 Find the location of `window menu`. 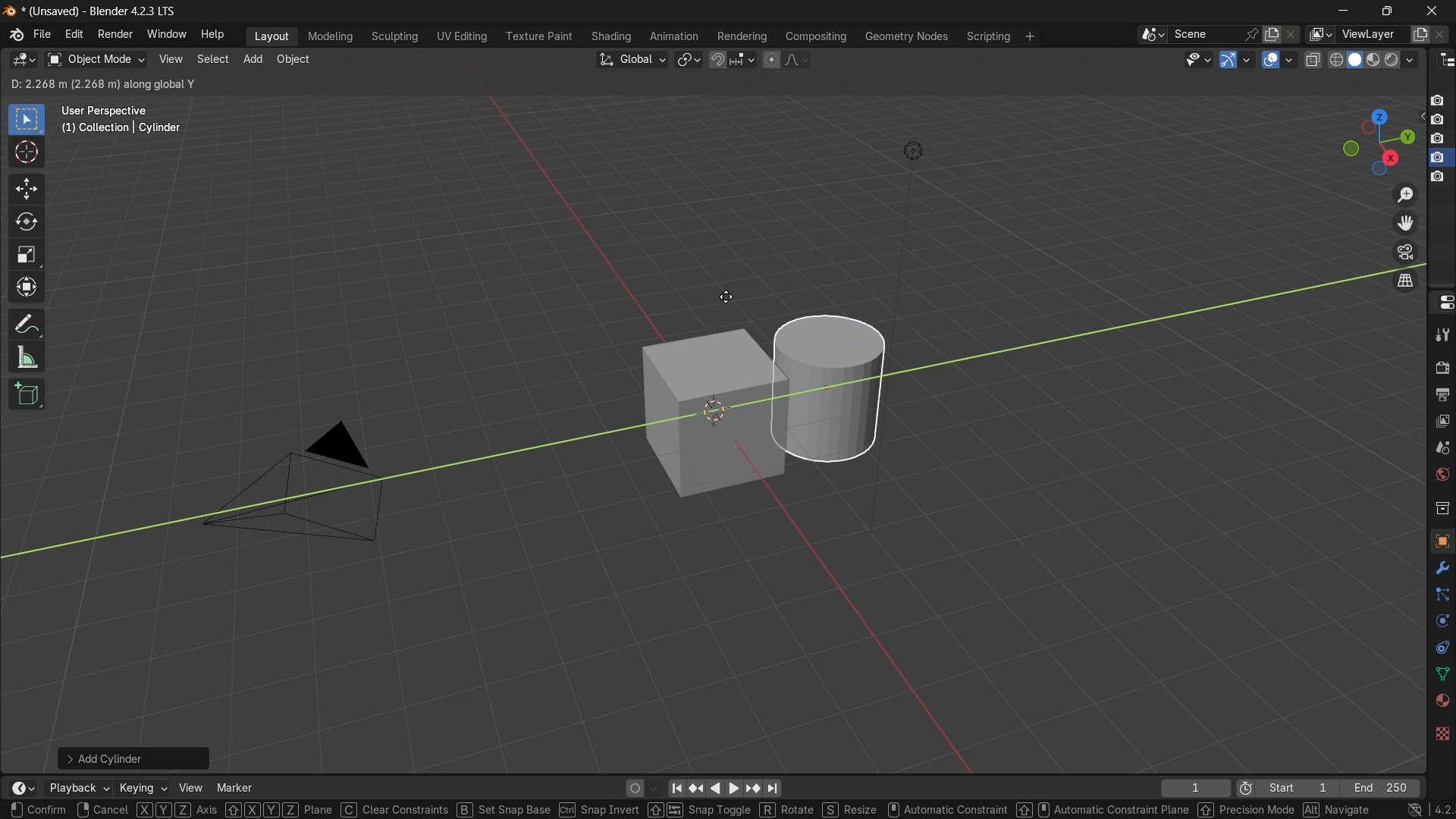

window menu is located at coordinates (168, 35).